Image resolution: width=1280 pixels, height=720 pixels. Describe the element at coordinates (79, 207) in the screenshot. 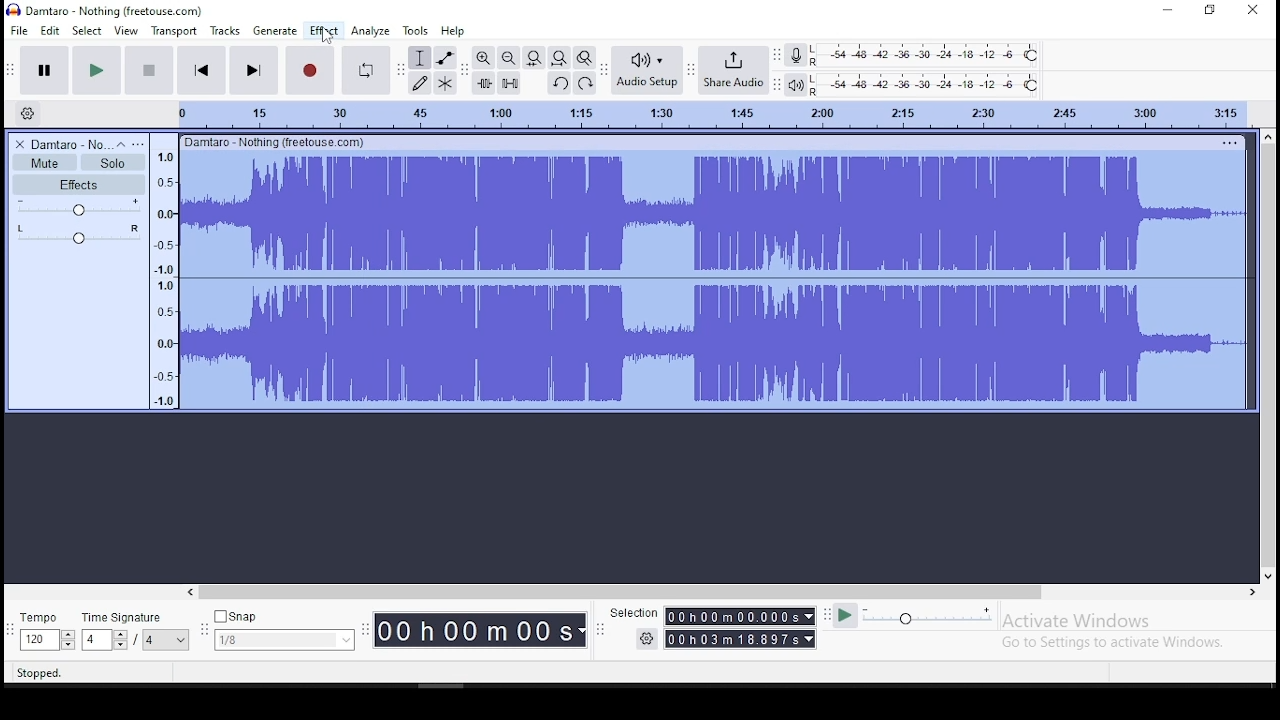

I see `volume` at that location.